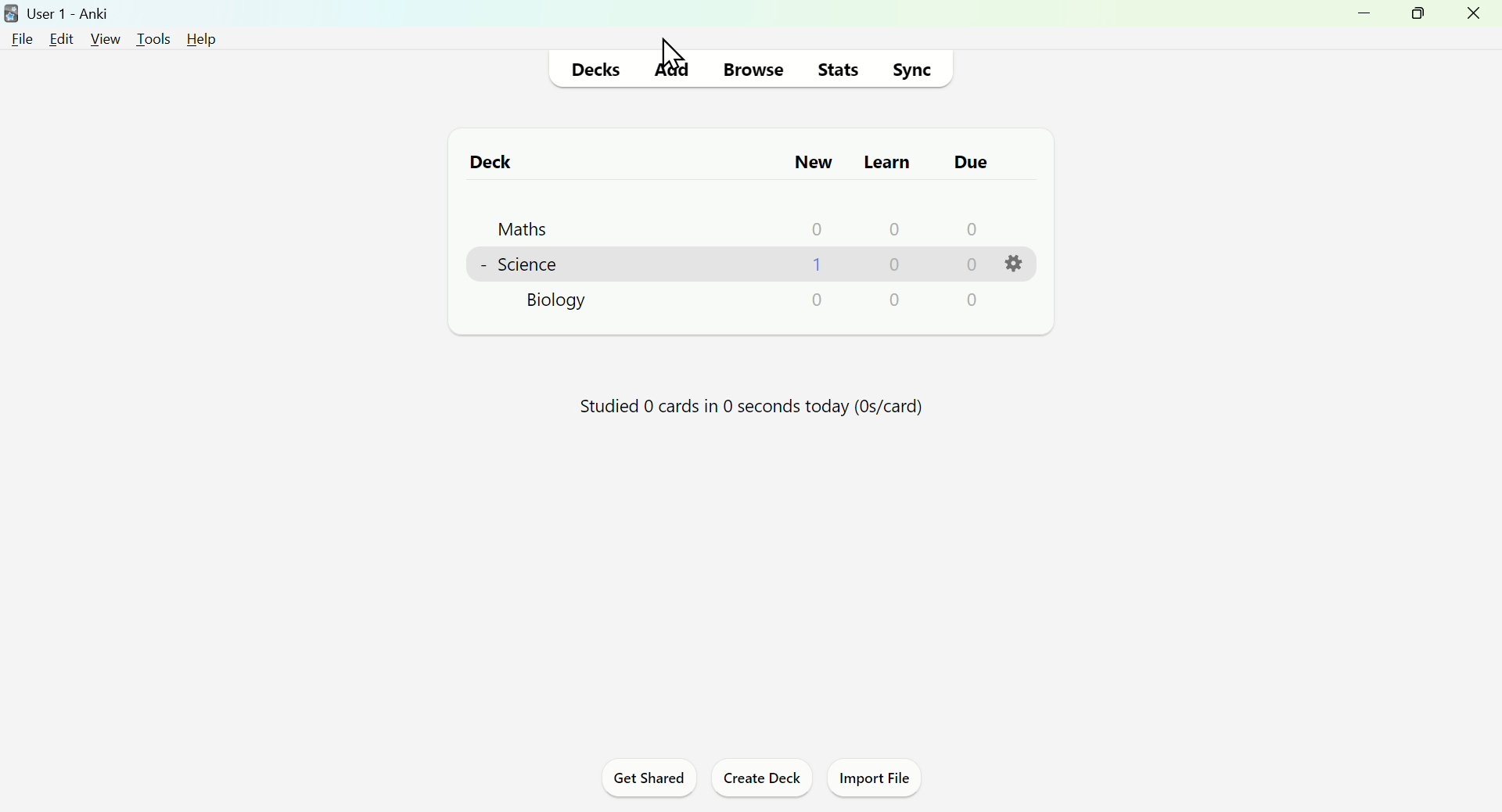 Image resolution: width=1502 pixels, height=812 pixels. Describe the element at coordinates (888, 231) in the screenshot. I see `0` at that location.